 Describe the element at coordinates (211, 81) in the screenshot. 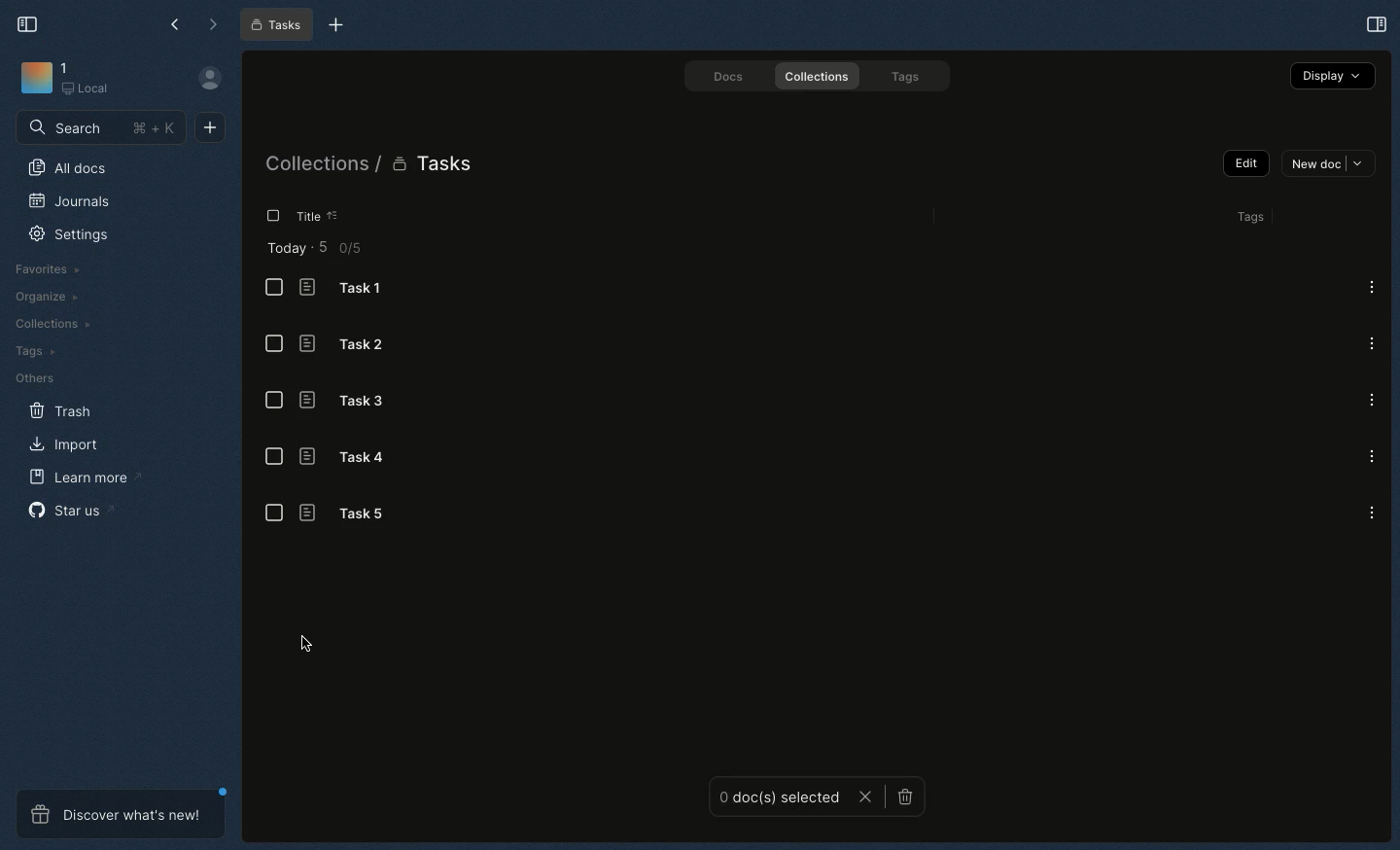

I see `User` at that location.